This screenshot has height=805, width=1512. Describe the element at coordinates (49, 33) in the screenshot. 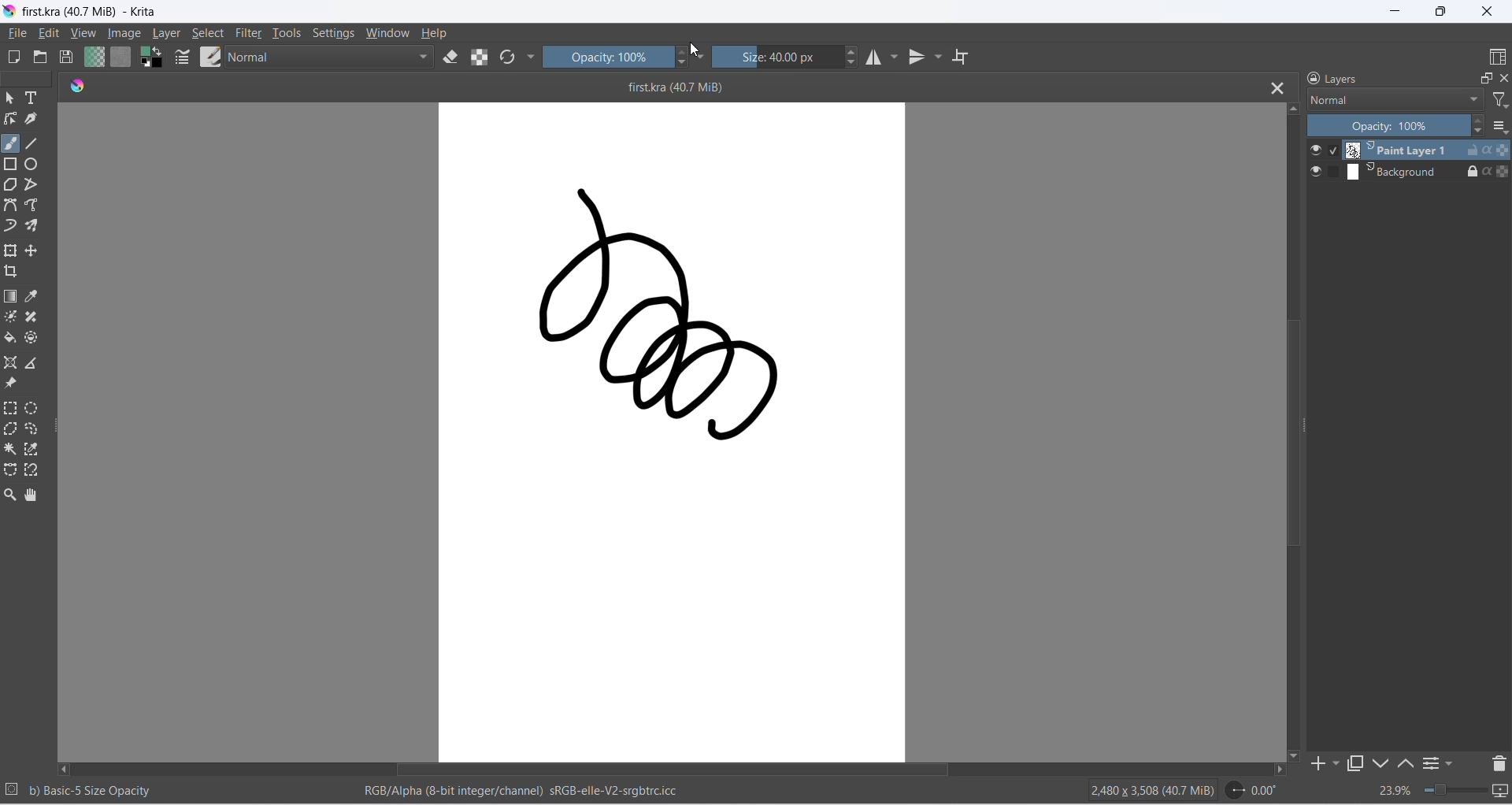

I see `edit` at that location.